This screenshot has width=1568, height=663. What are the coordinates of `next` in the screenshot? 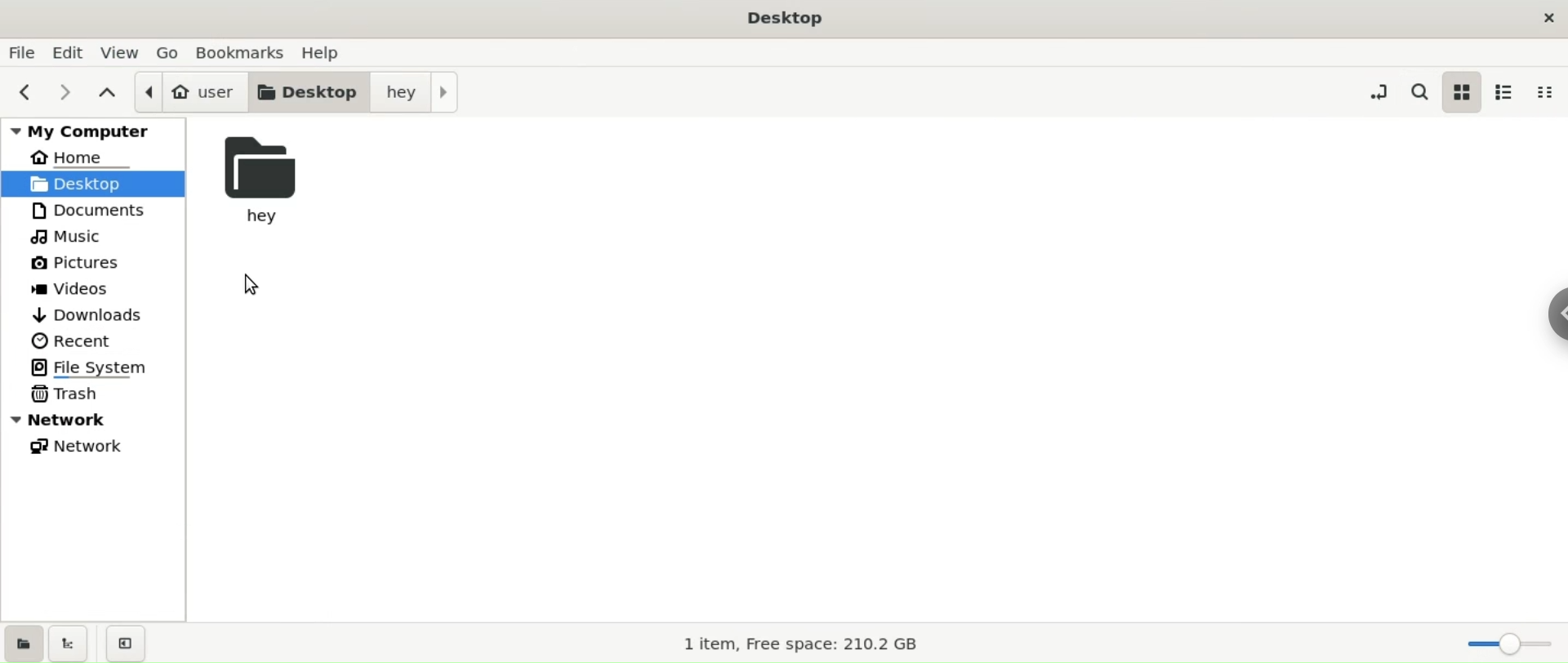 It's located at (65, 91).